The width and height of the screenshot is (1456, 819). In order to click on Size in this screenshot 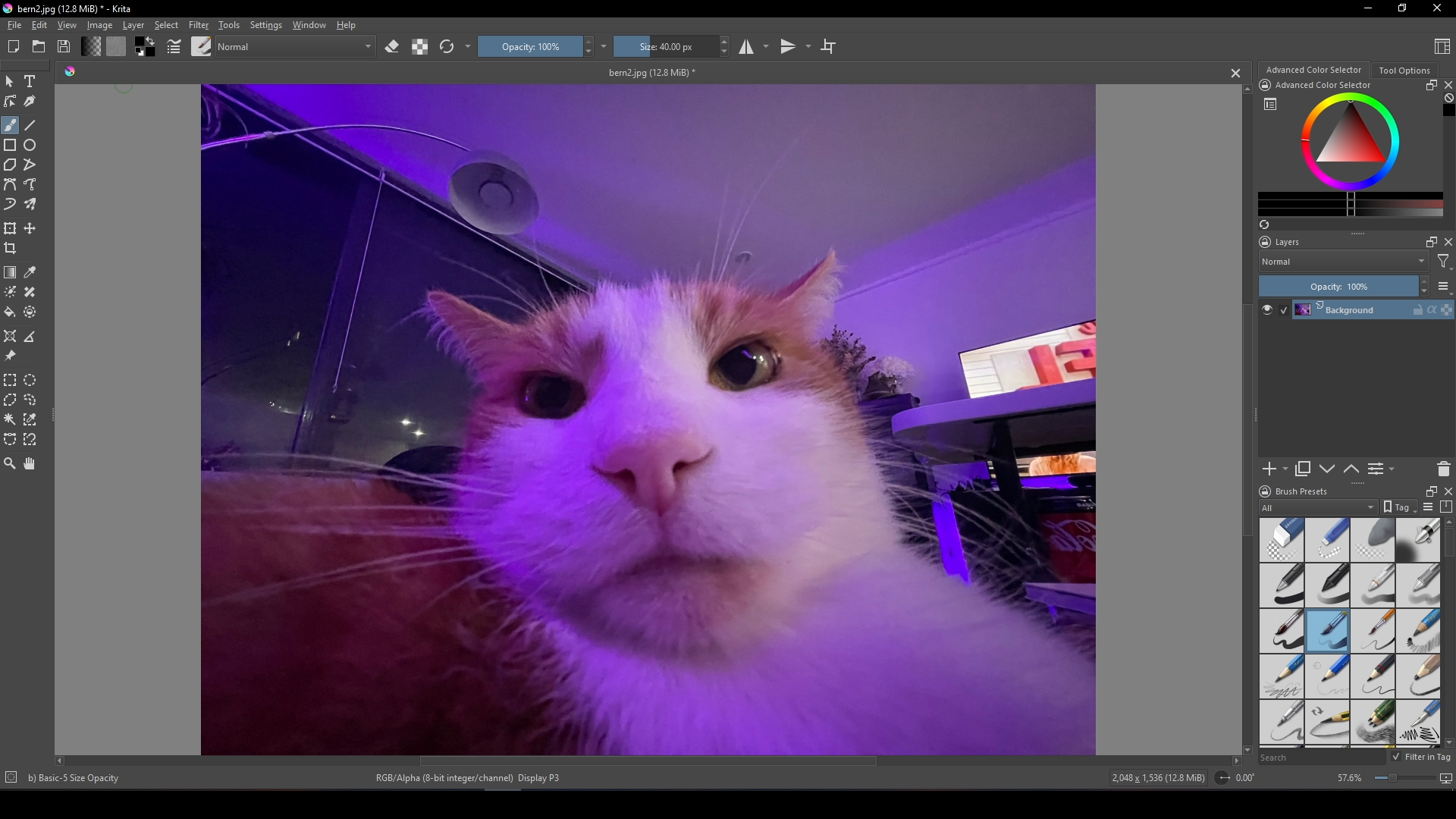, I will do `click(674, 46)`.